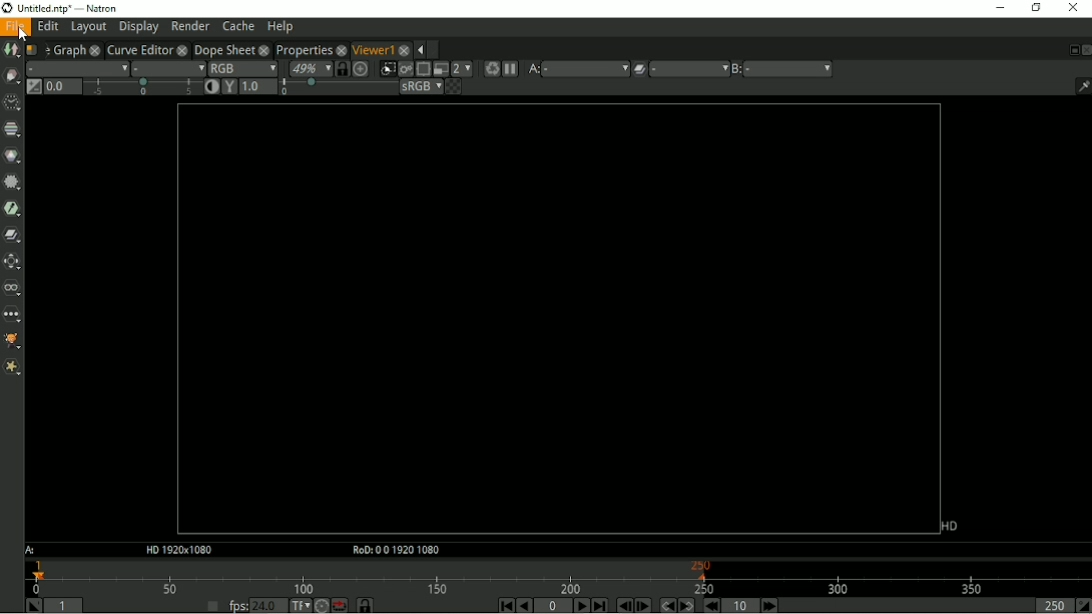 This screenshot has width=1092, height=614. I want to click on a menu, so click(585, 68).